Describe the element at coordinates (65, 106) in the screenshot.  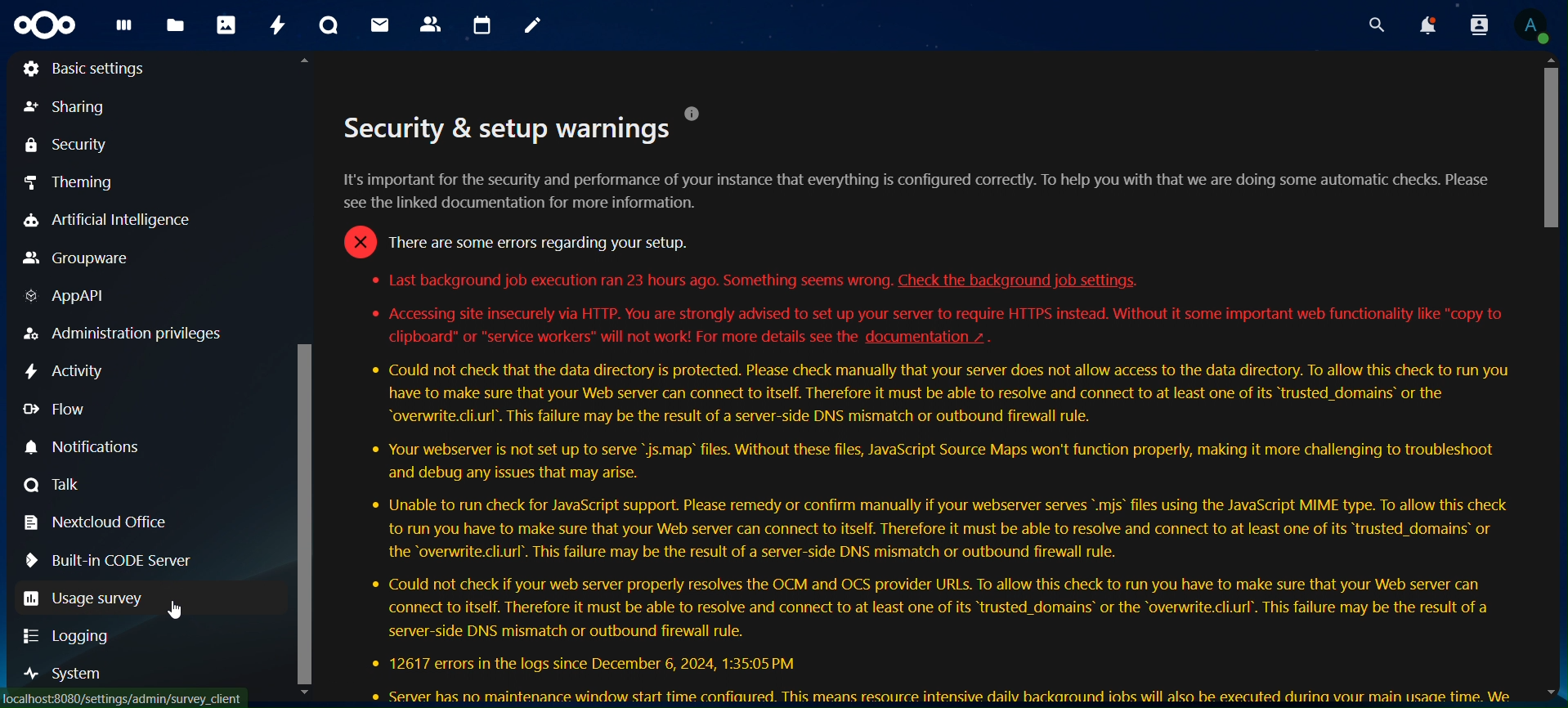
I see `sharing` at that location.